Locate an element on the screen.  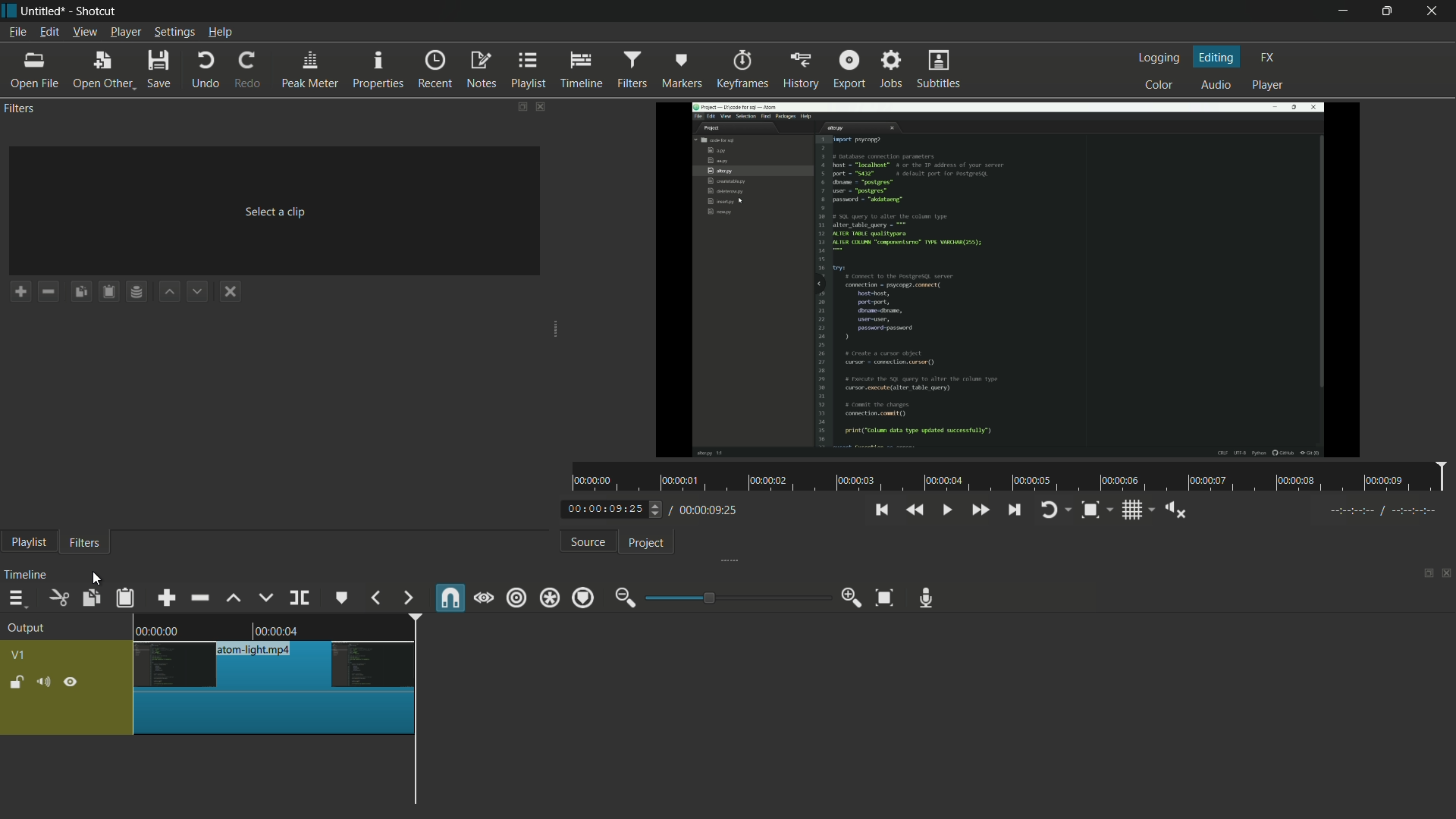
redo is located at coordinates (251, 71).